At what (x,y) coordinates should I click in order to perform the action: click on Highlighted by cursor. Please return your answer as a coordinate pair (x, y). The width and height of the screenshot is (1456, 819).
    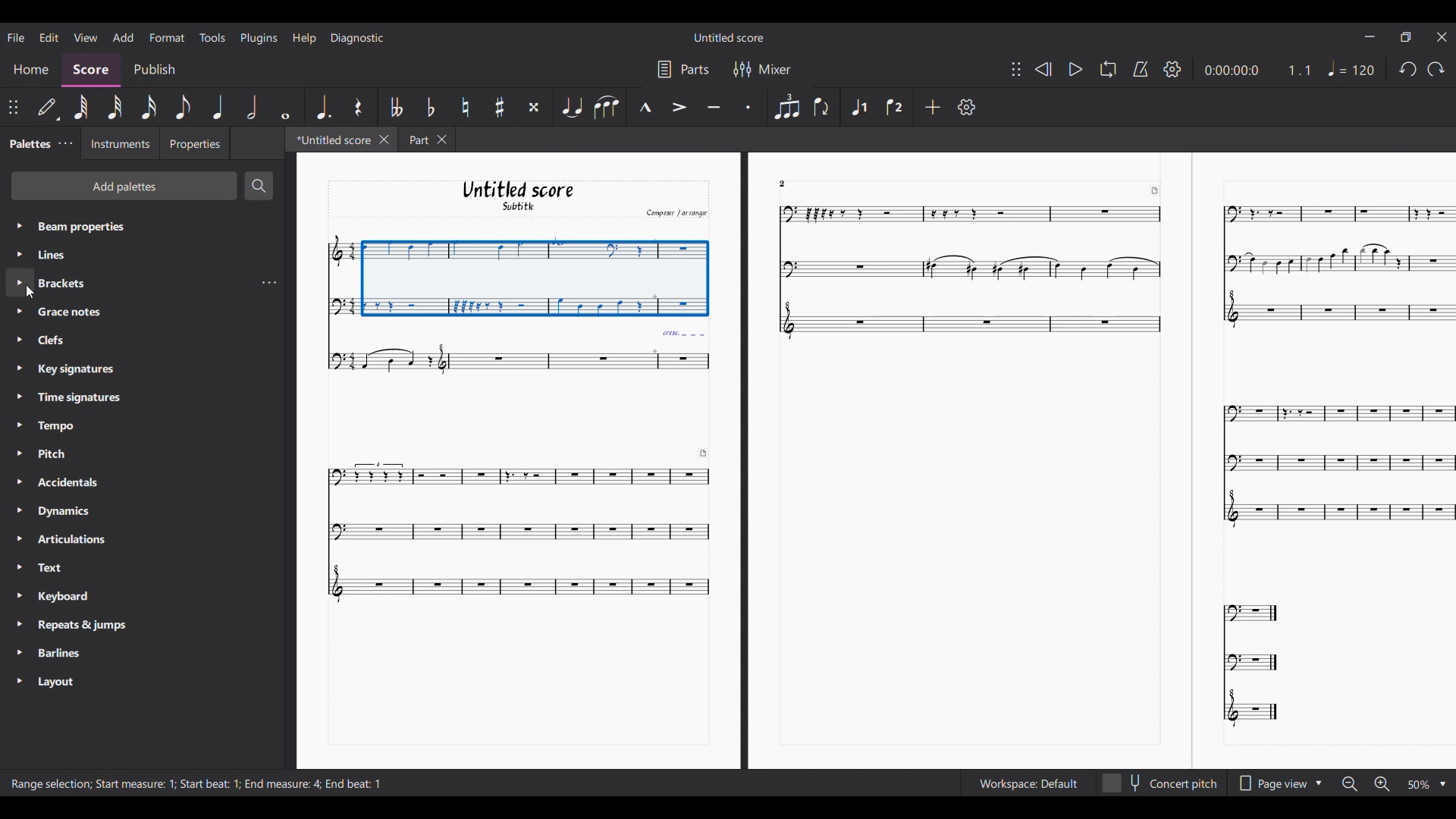
    Looking at the image, I should click on (17, 283).